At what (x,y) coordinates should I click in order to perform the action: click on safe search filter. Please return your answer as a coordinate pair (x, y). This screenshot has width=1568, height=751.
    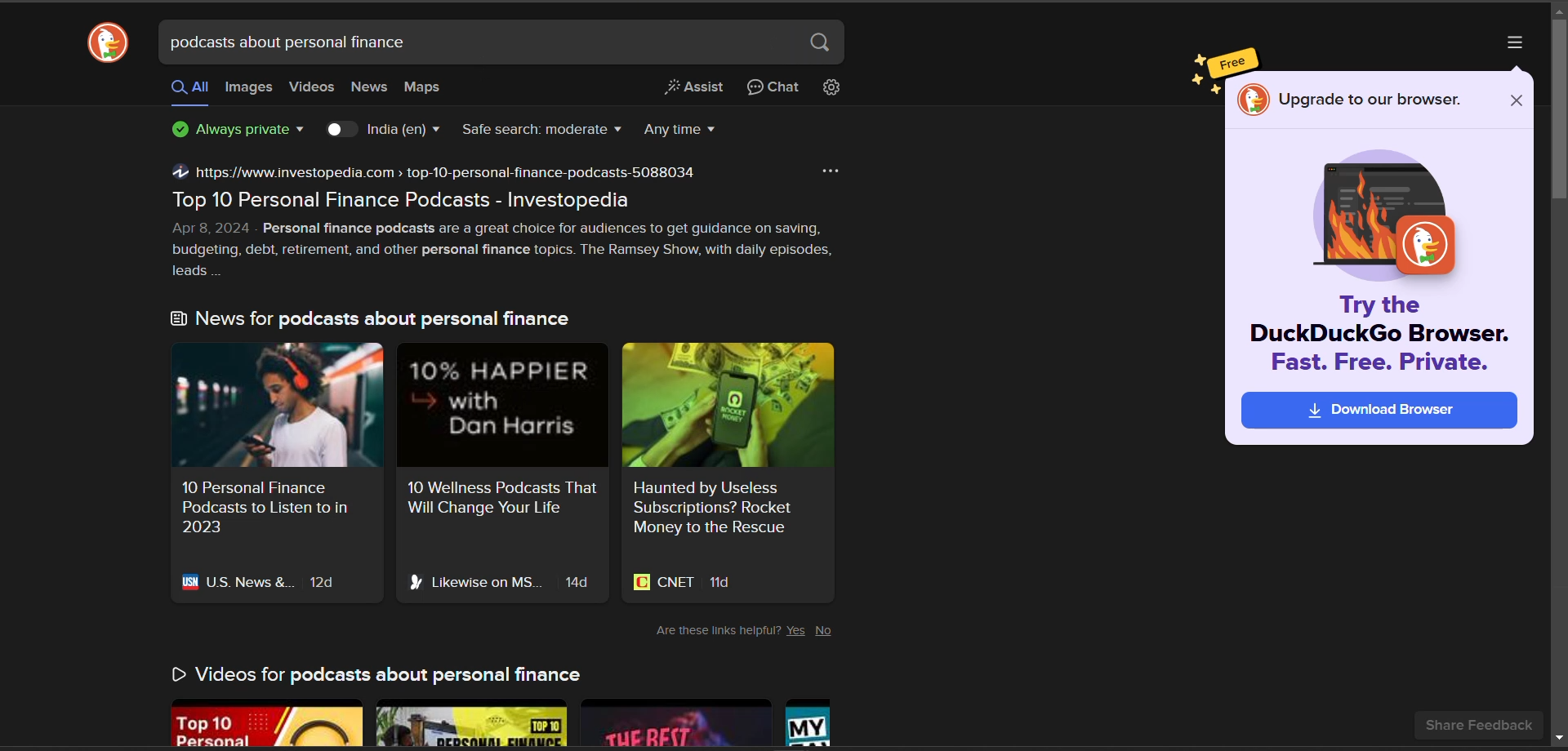
    Looking at the image, I should click on (546, 131).